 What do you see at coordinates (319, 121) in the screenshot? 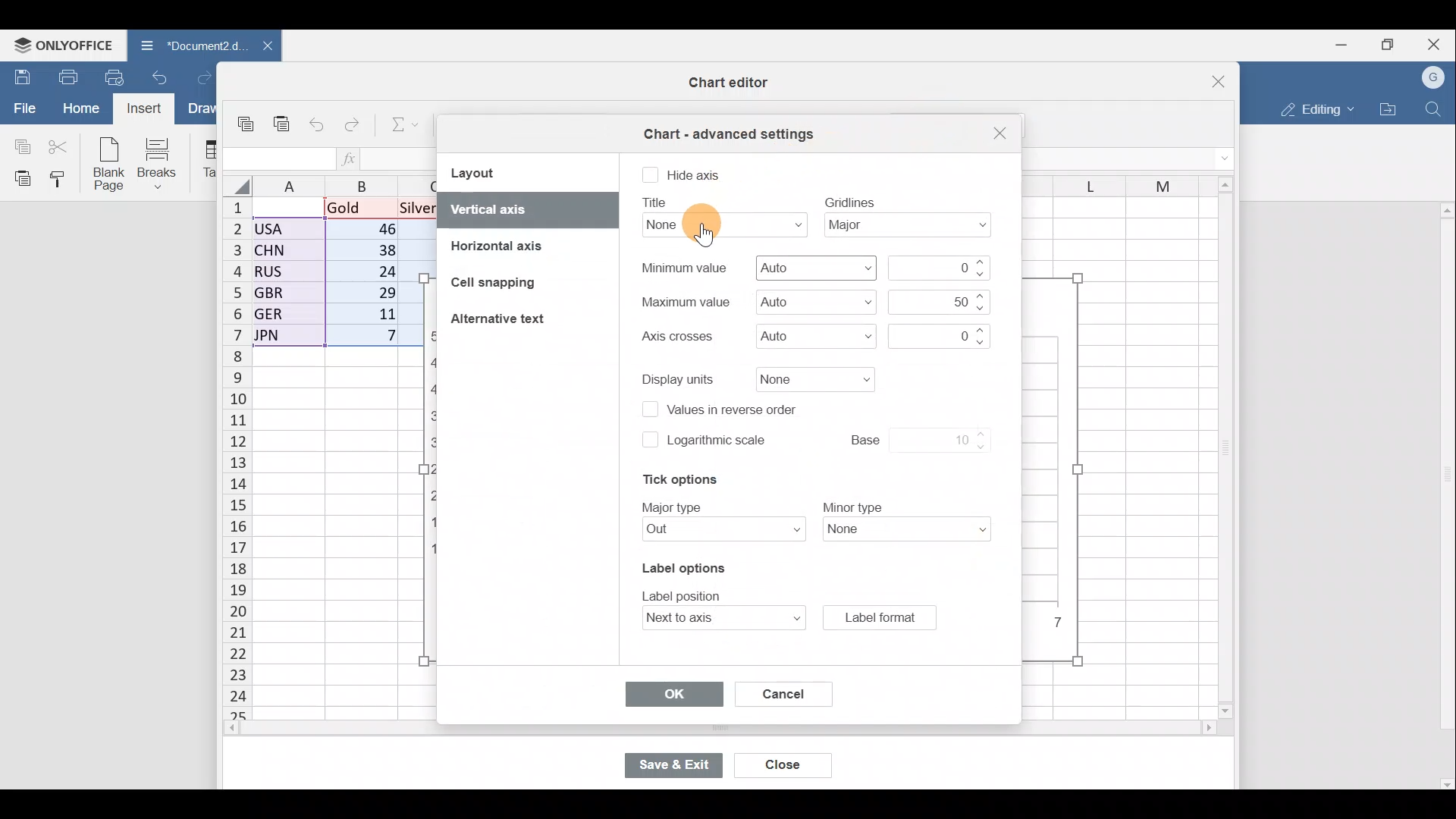
I see `Undo` at bounding box center [319, 121].